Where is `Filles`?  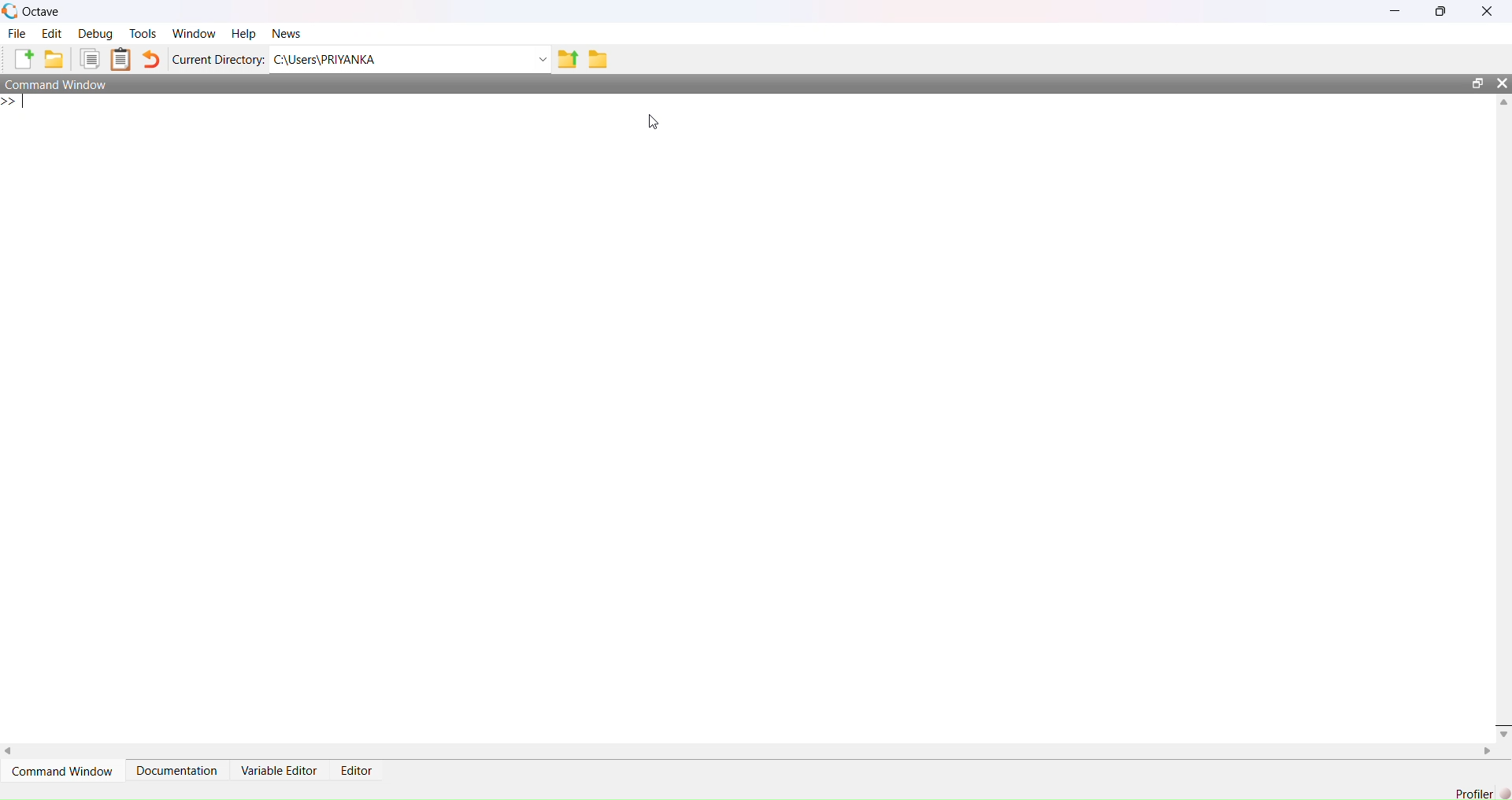 Filles is located at coordinates (91, 60).